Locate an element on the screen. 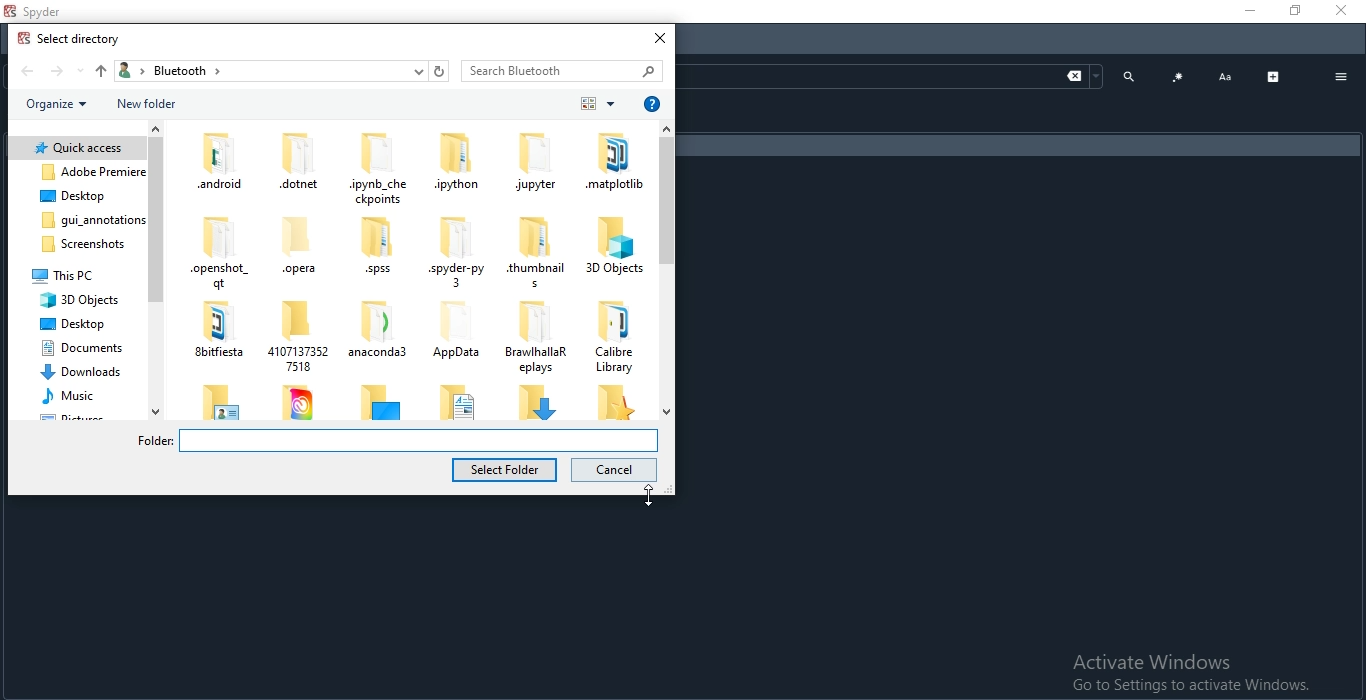 The width and height of the screenshot is (1366, 700). androids is located at coordinates (217, 160).